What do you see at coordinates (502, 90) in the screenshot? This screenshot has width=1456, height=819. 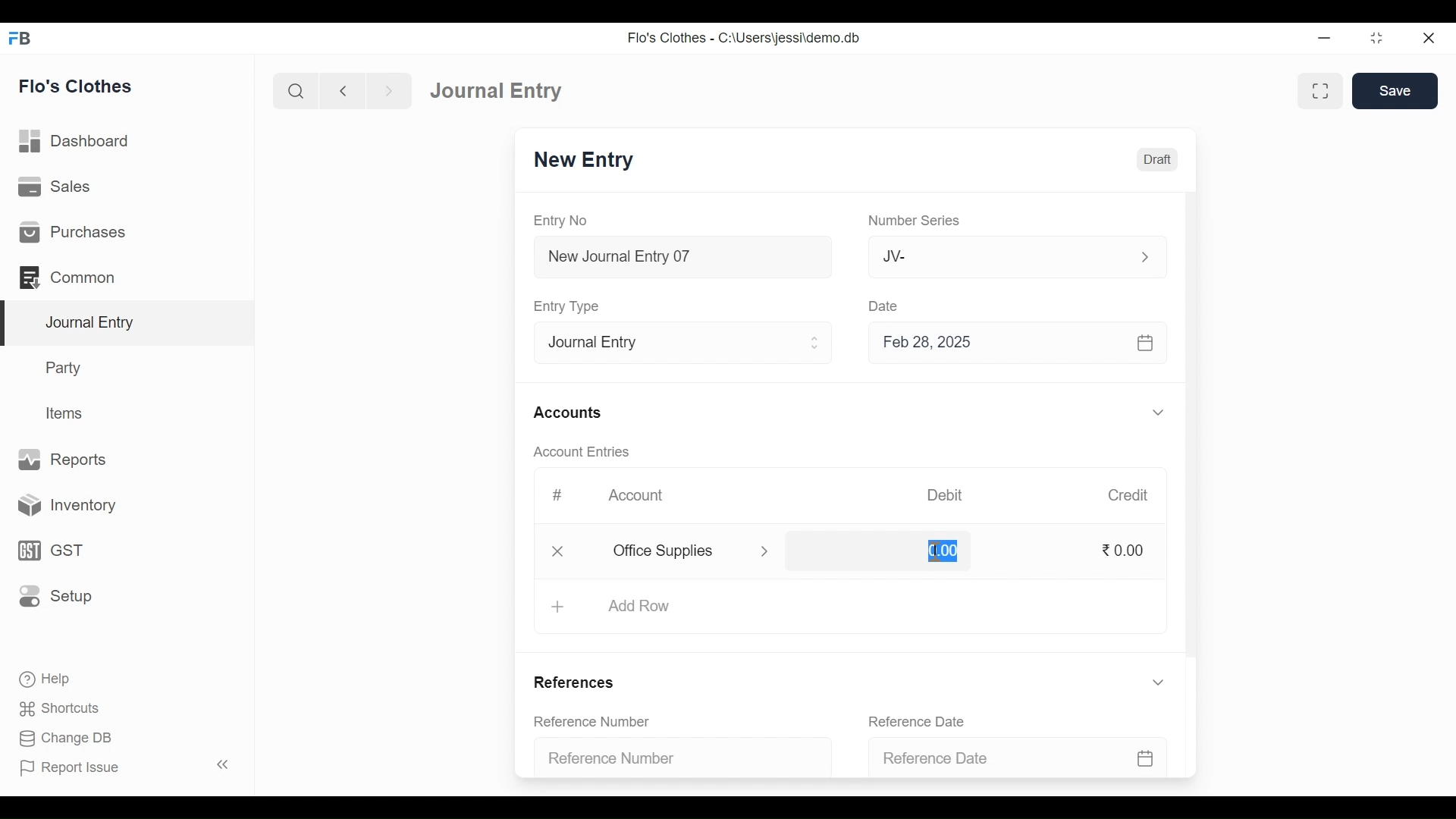 I see `Journal Entry` at bounding box center [502, 90].